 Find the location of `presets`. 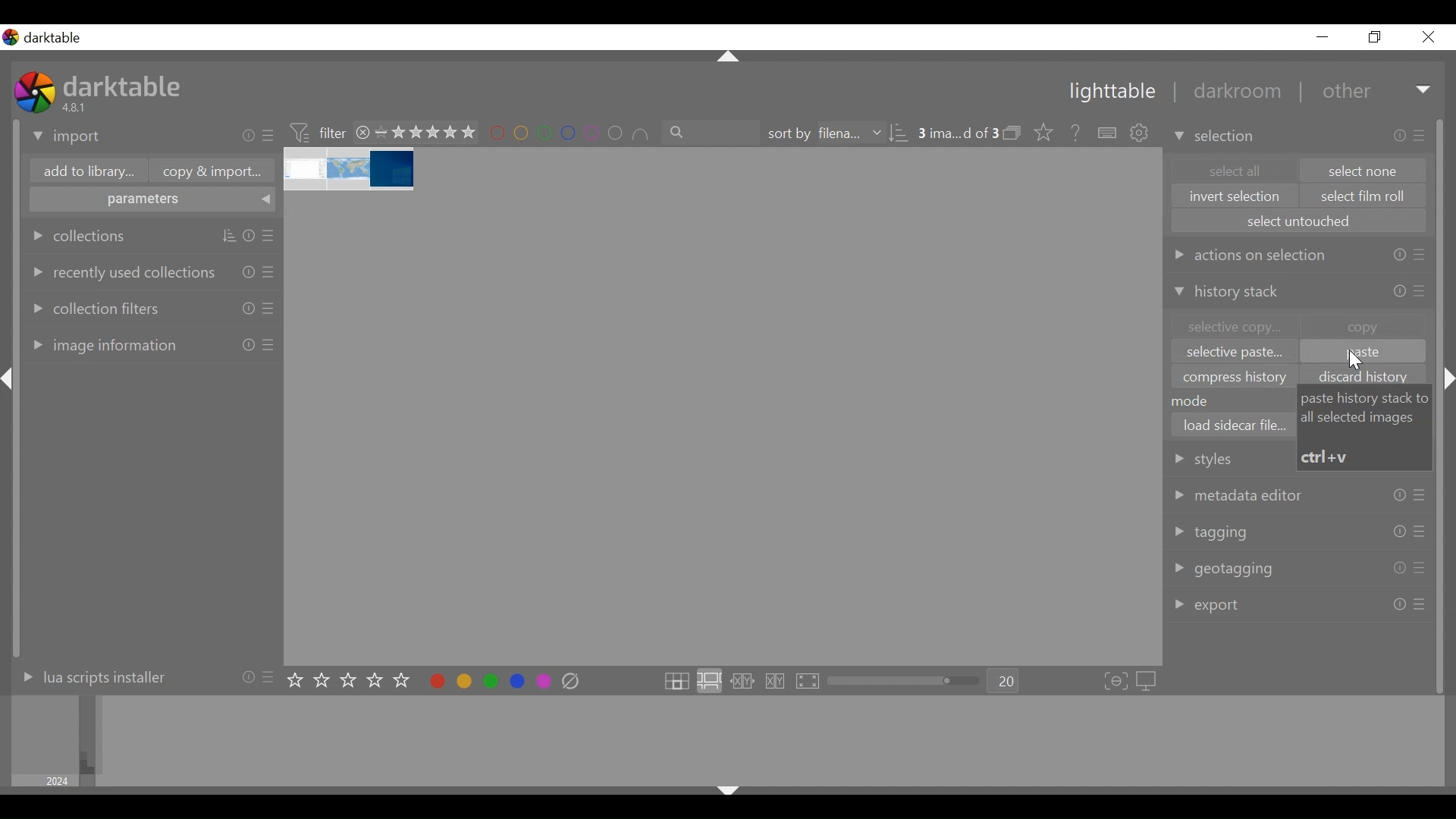

presets is located at coordinates (1420, 605).